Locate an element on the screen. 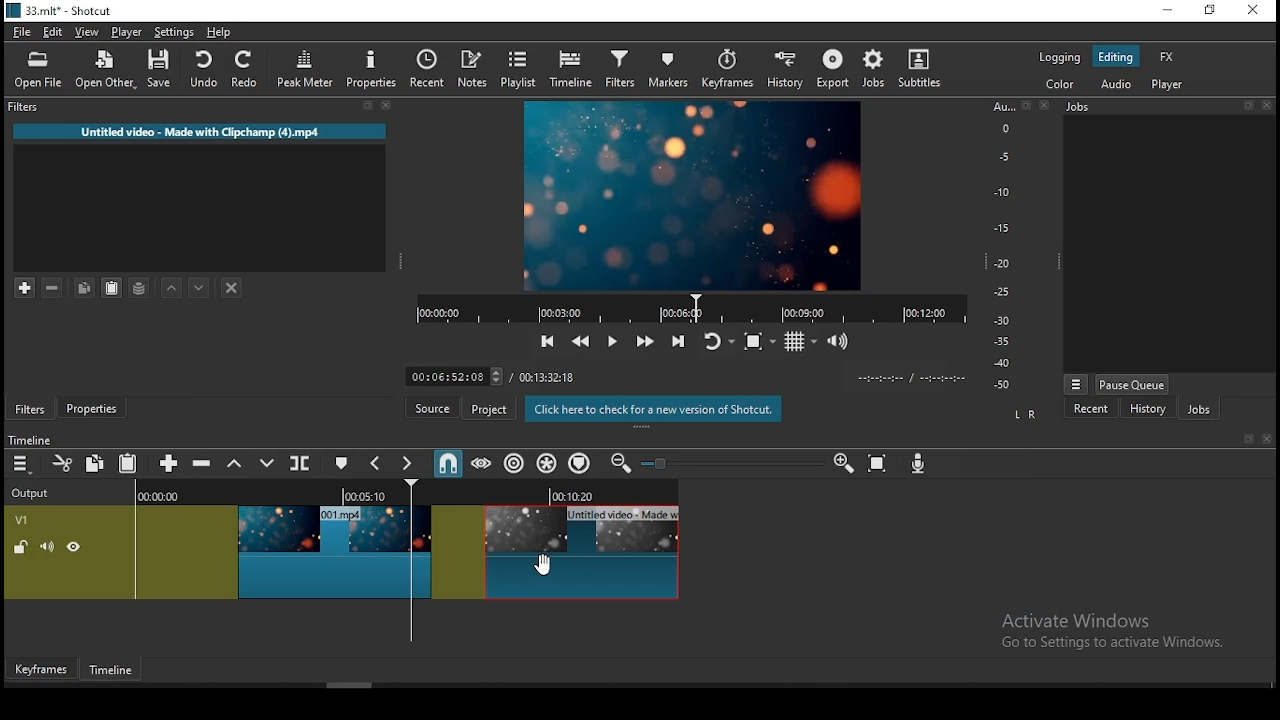 This screenshot has height=720, width=1280. zoom timeline out is located at coordinates (623, 464).